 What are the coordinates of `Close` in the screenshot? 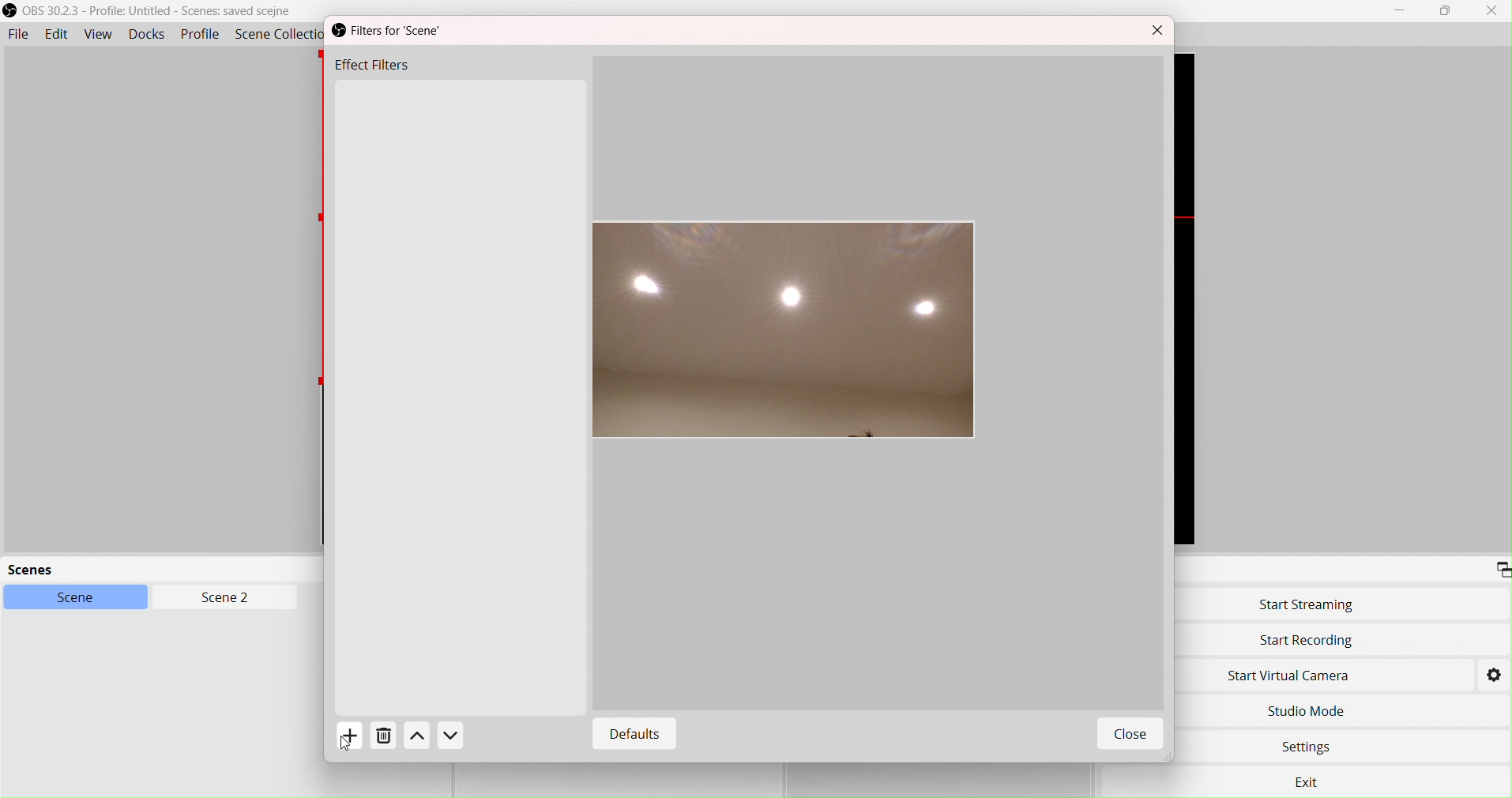 It's located at (1128, 736).